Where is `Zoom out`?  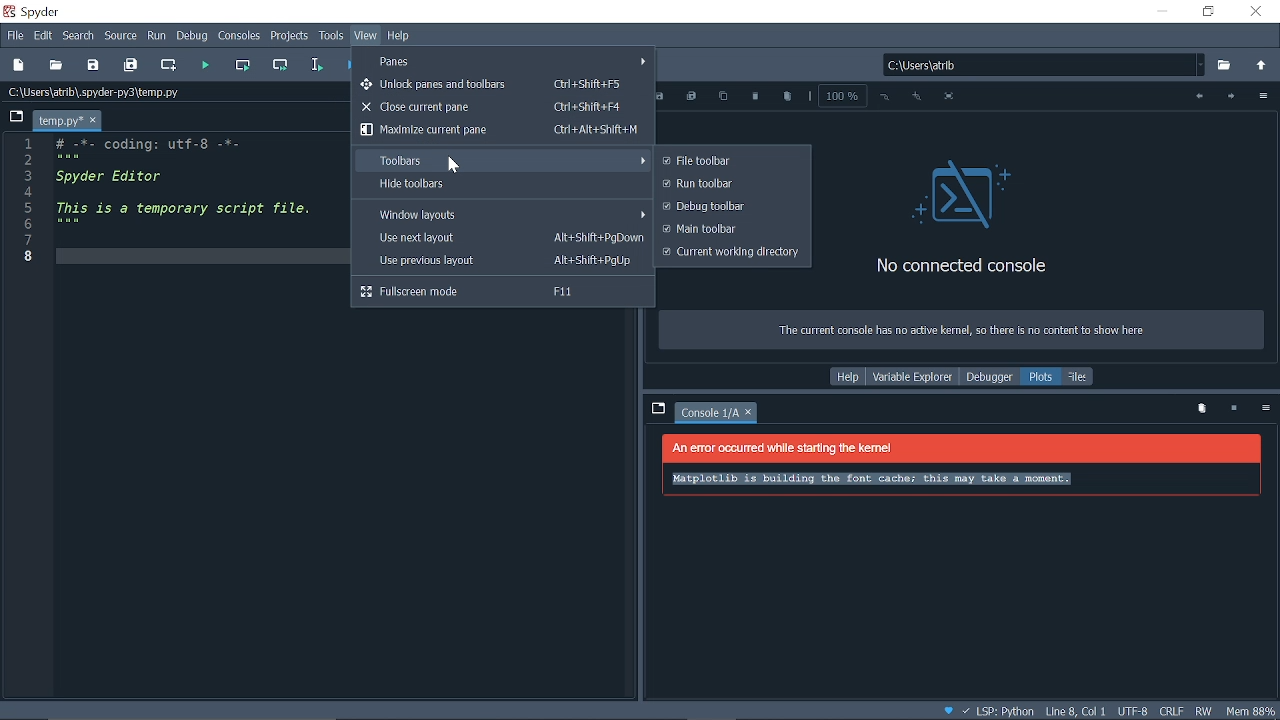 Zoom out is located at coordinates (886, 97).